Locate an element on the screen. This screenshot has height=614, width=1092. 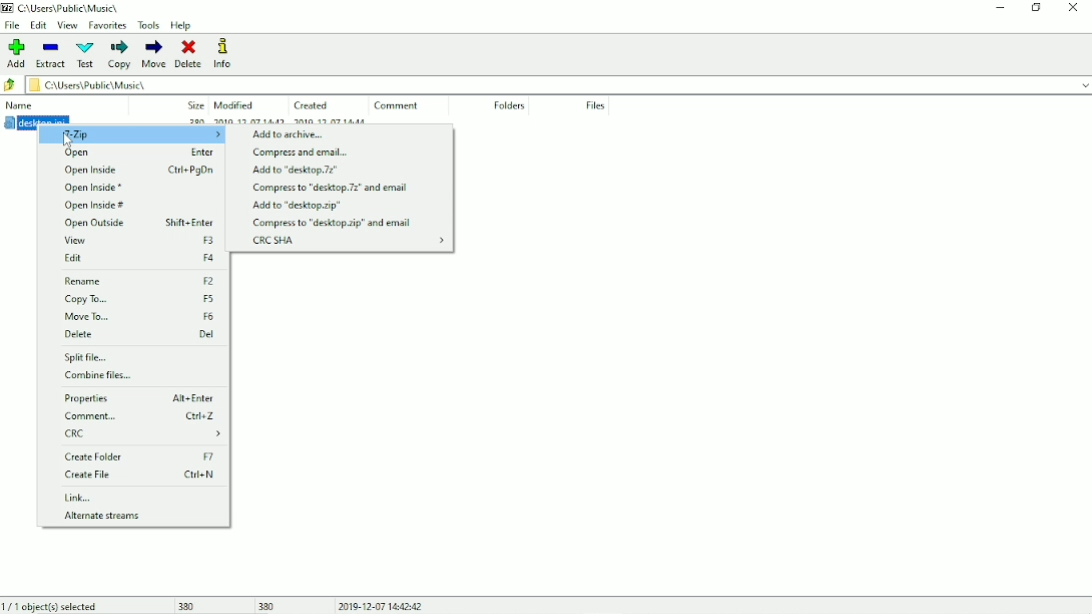
Create File is located at coordinates (140, 475).